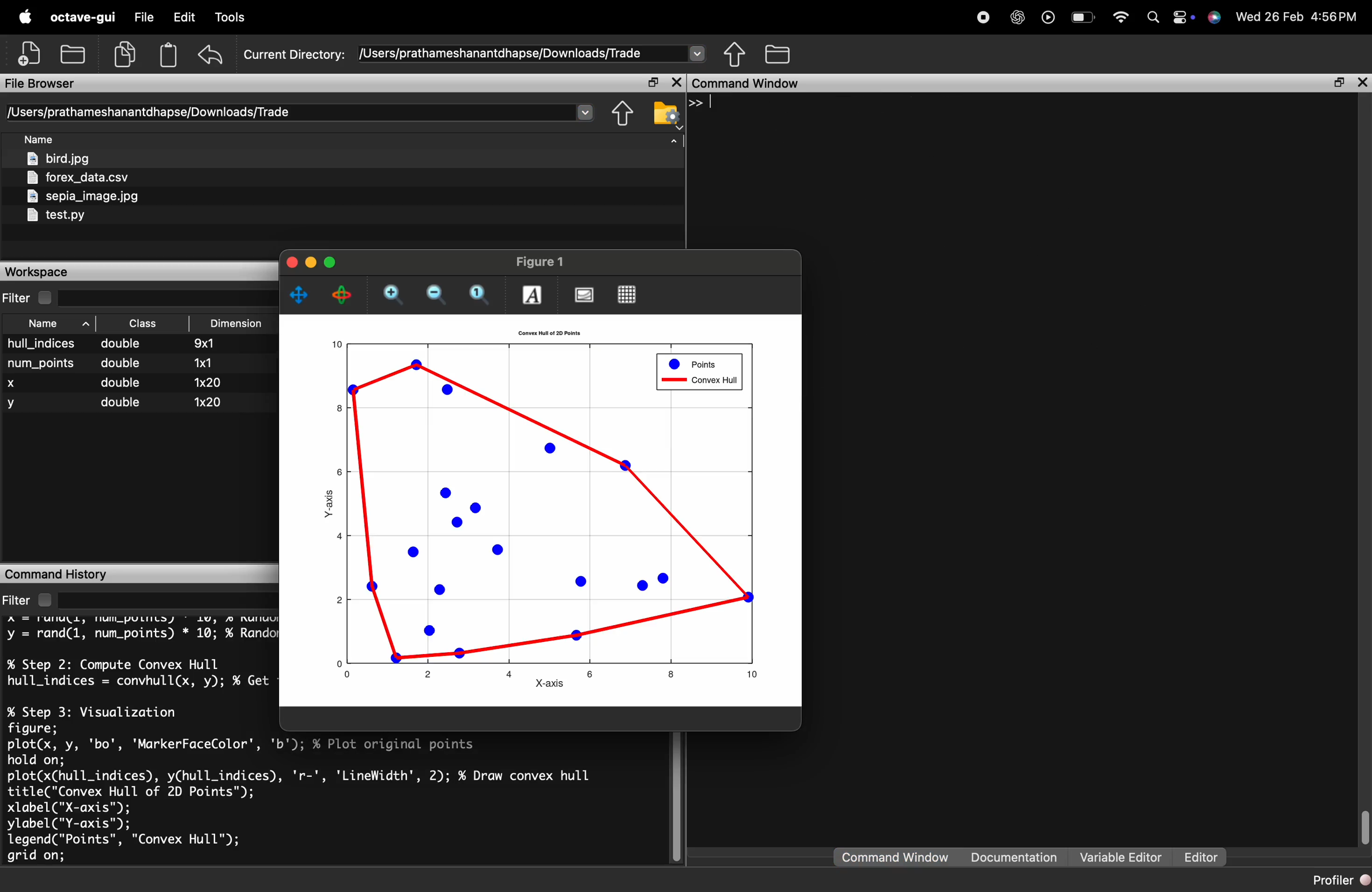 Image resolution: width=1372 pixels, height=892 pixels. Describe the element at coordinates (126, 54) in the screenshot. I see `copy` at that location.